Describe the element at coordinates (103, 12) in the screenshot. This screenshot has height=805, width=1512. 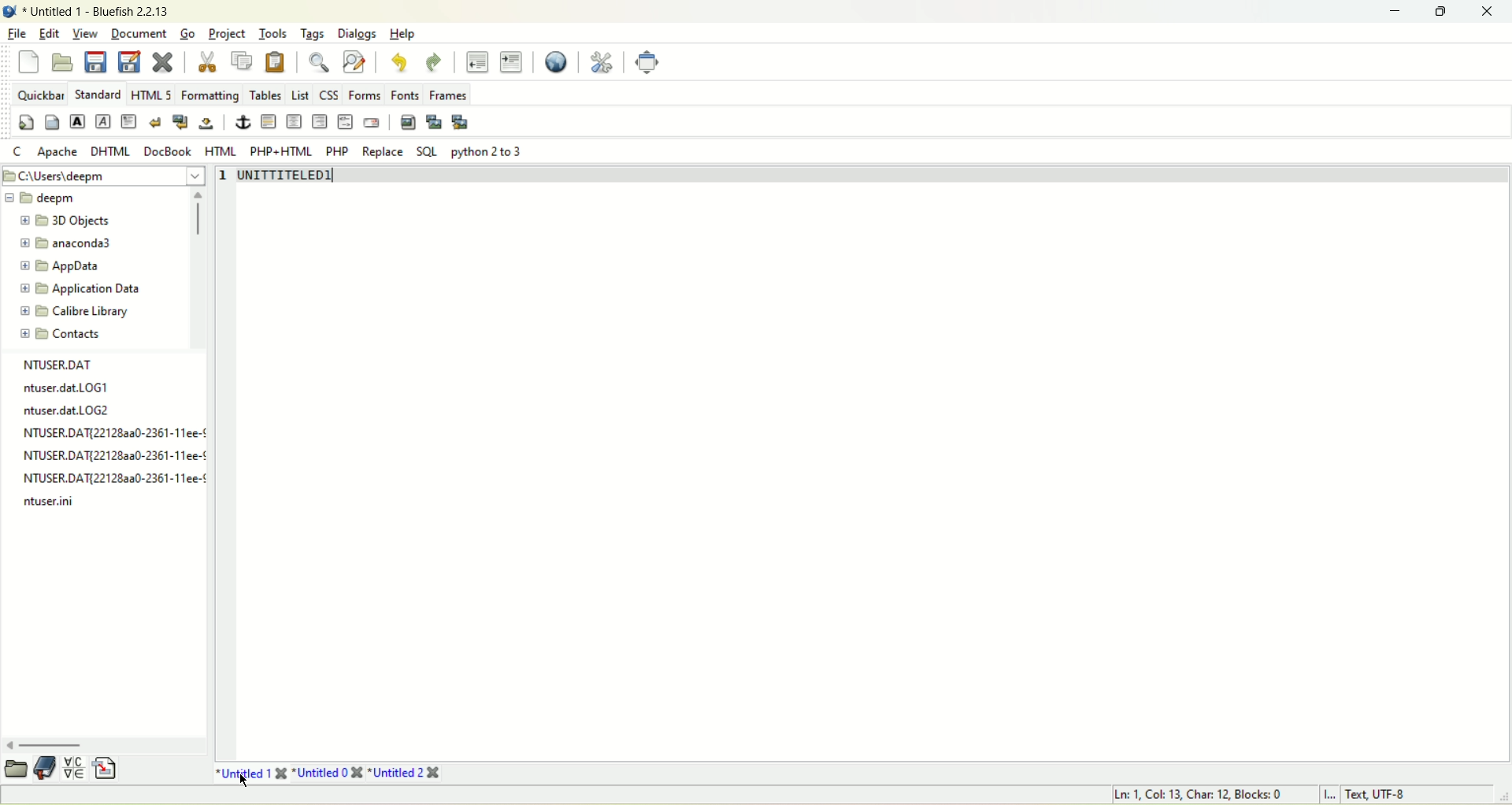
I see `title ` at that location.